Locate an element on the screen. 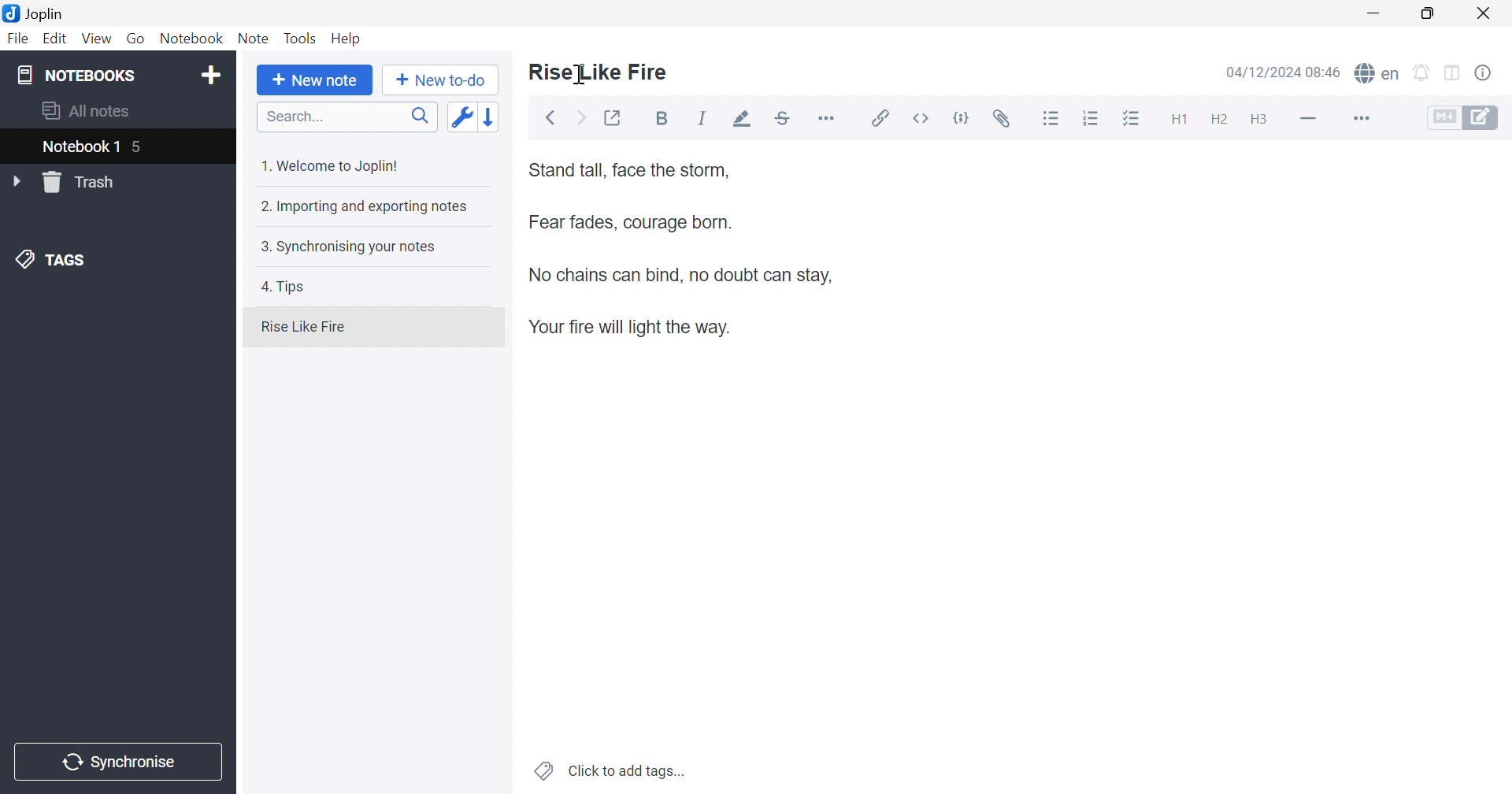  Rise Like Fire is located at coordinates (309, 326).